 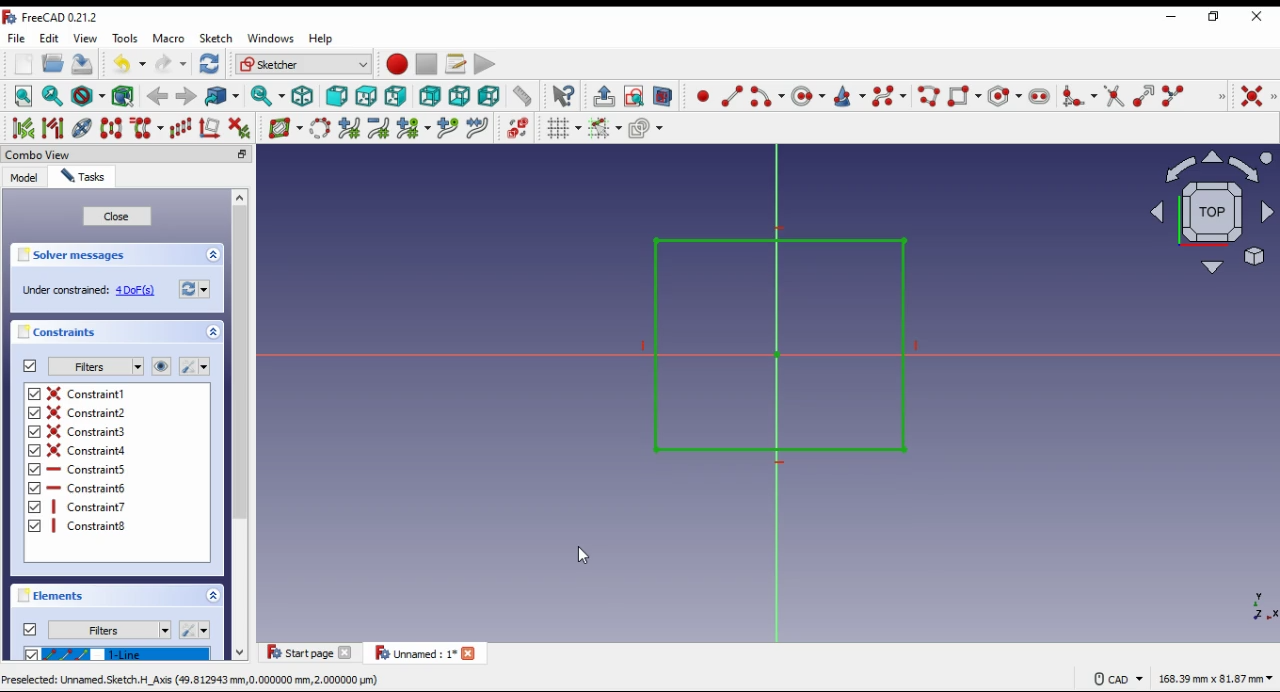 I want to click on trim edge, so click(x=1114, y=95).